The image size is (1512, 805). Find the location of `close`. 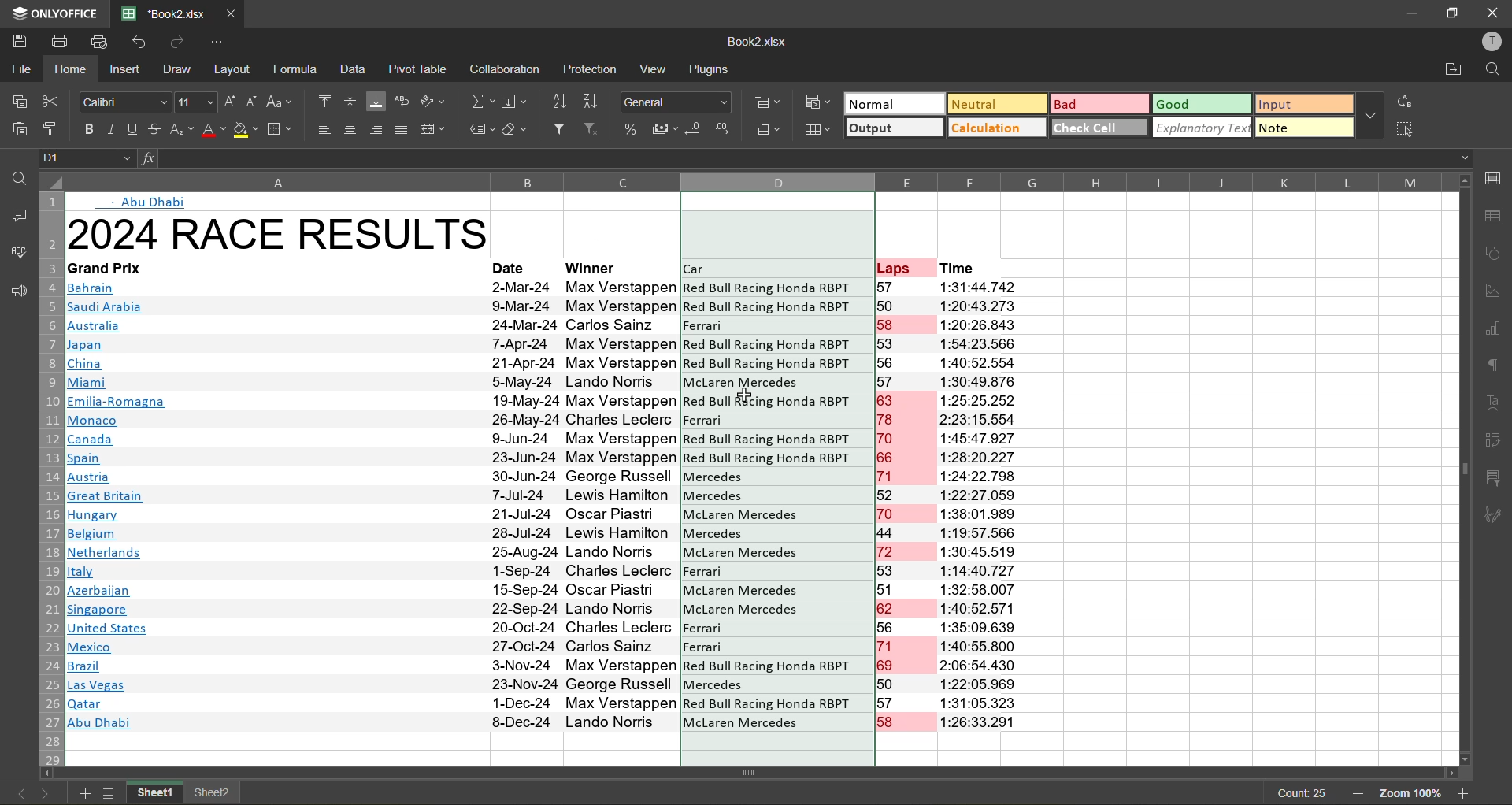

close is located at coordinates (1492, 14).